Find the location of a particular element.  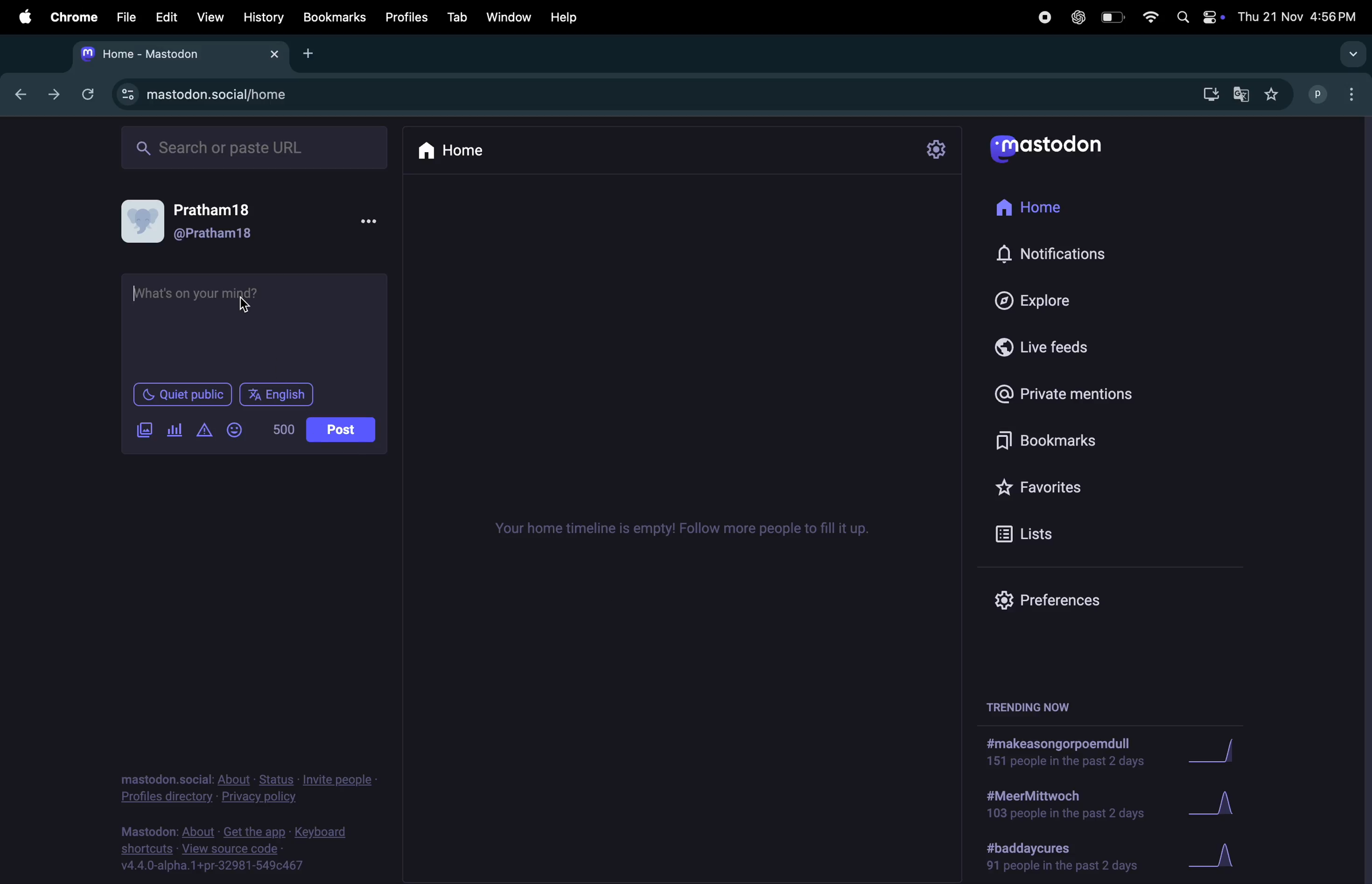

post is located at coordinates (341, 431).